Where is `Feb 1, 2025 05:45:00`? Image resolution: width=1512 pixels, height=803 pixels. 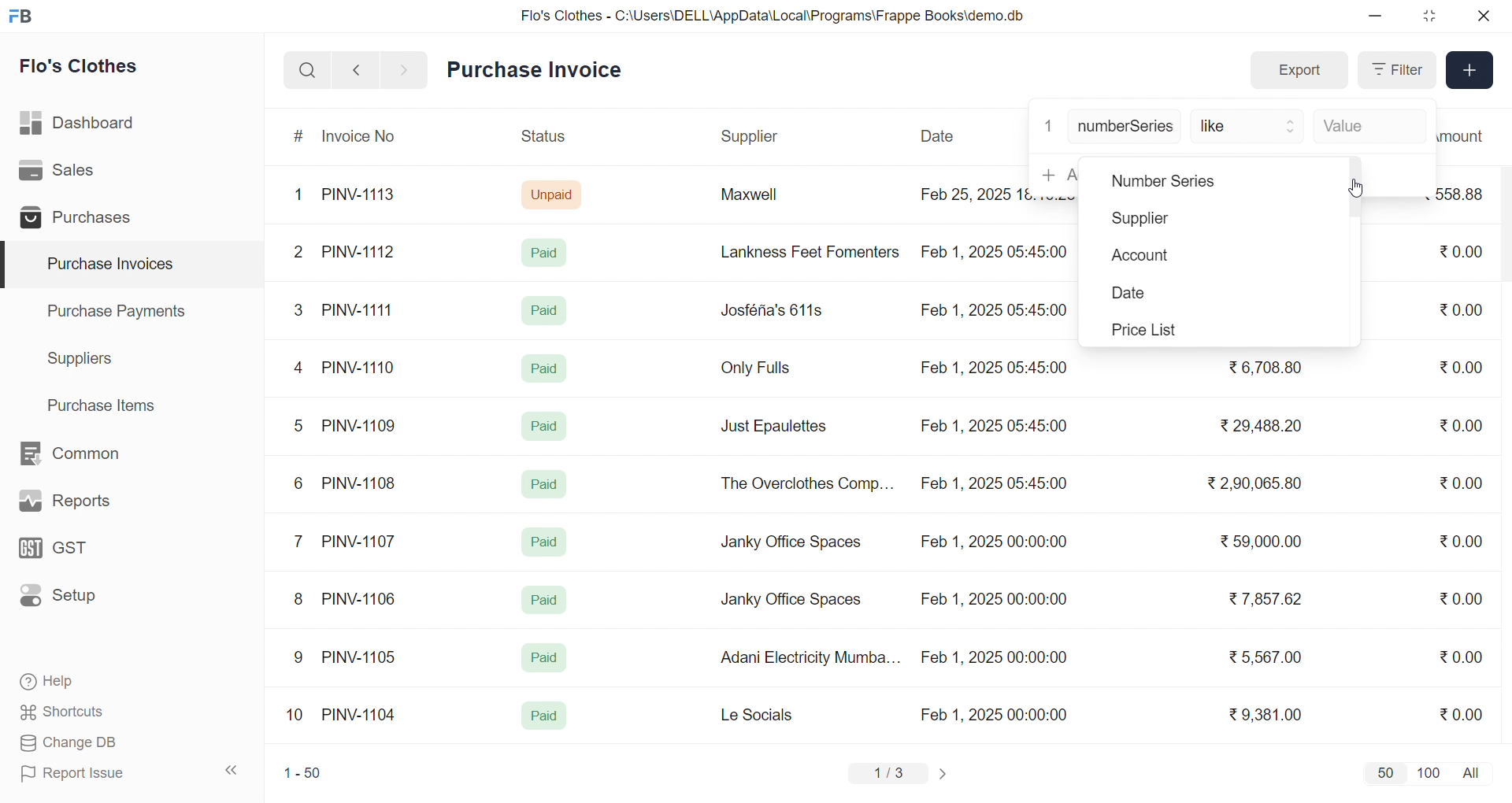 Feb 1, 2025 05:45:00 is located at coordinates (998, 250).